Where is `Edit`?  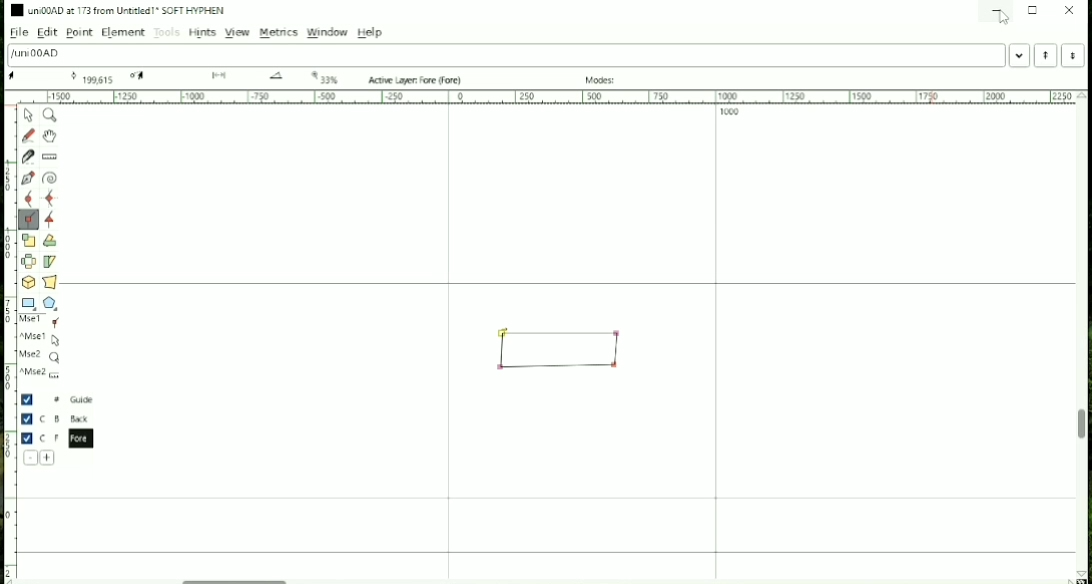
Edit is located at coordinates (49, 33).